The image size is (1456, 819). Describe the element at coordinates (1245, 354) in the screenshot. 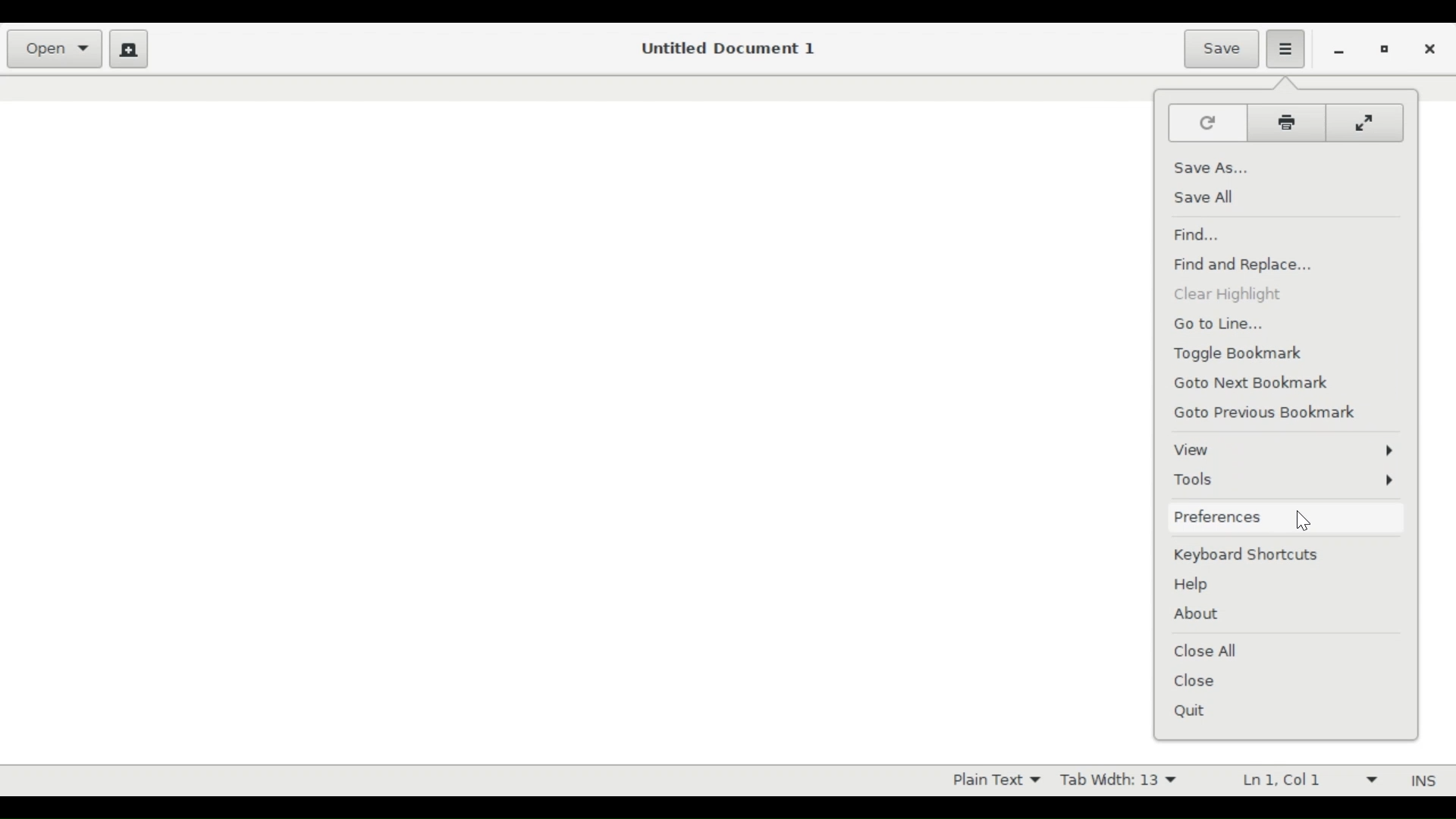

I see `Toggle Bookmark` at that location.